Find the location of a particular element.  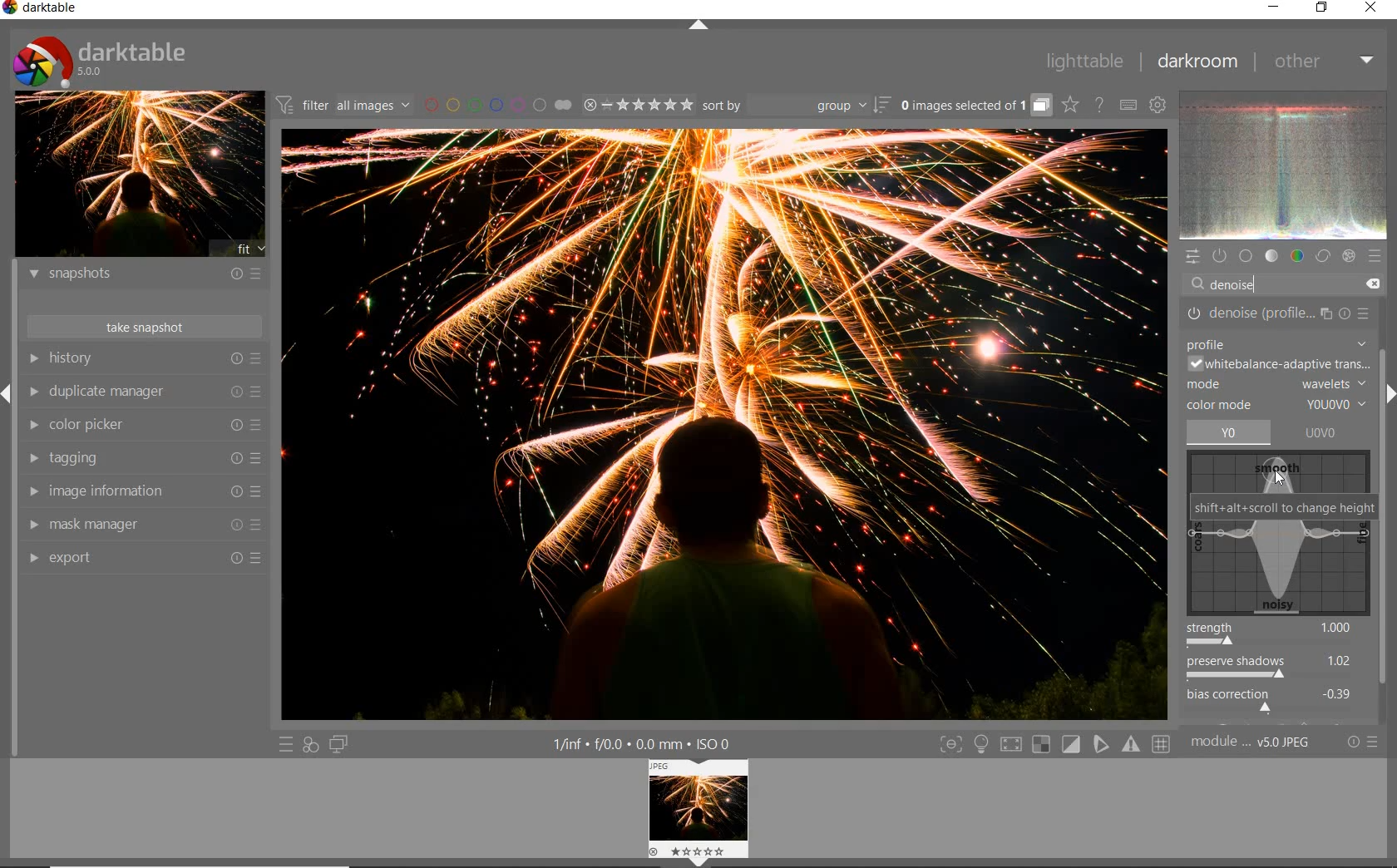

1/inf*f/0.0 mm*ISO 0 is located at coordinates (653, 744).